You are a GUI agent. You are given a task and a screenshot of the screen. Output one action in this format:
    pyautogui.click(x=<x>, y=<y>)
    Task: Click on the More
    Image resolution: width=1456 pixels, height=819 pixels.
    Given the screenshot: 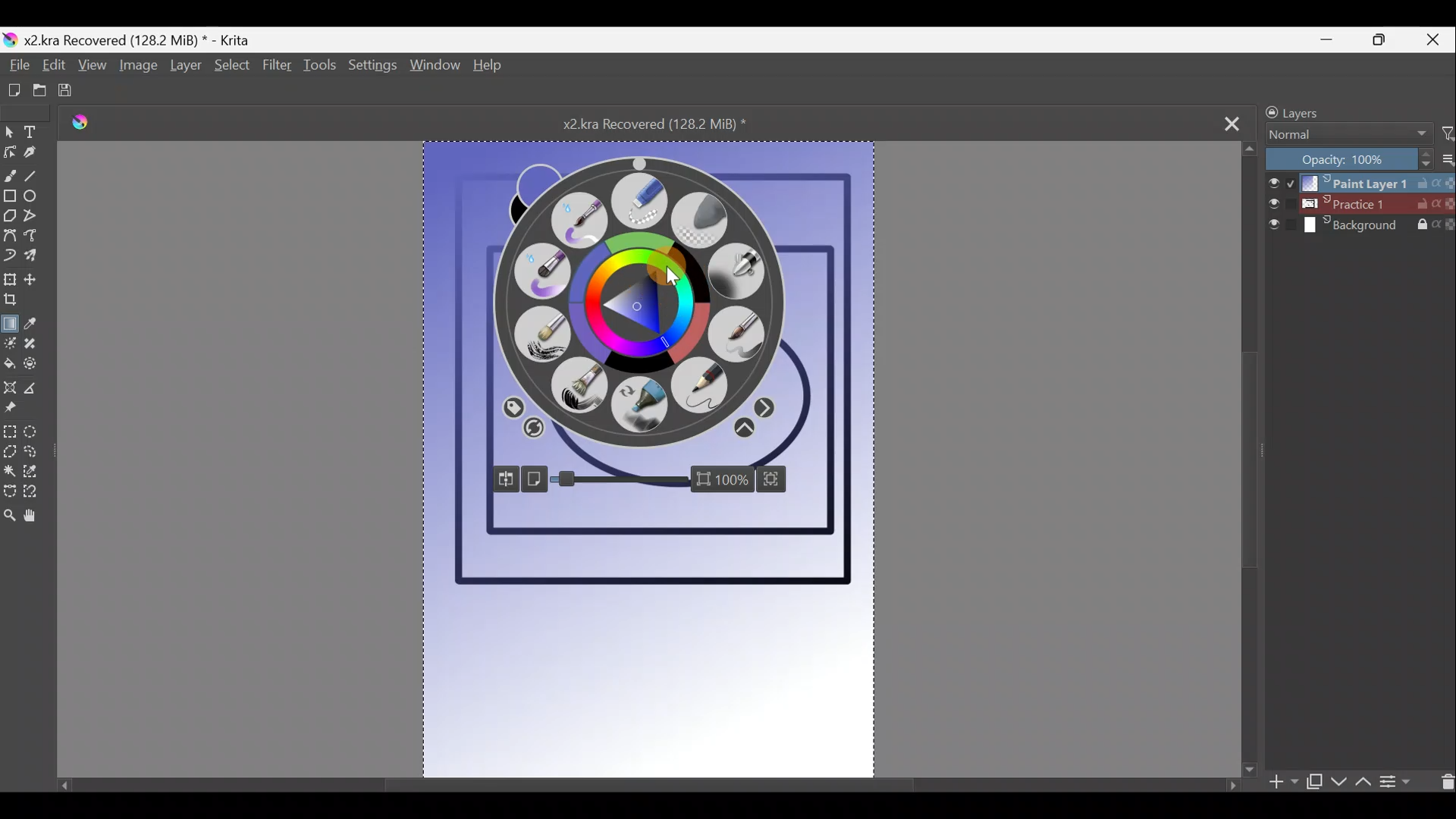 What is the action you would take?
    pyautogui.click(x=744, y=430)
    